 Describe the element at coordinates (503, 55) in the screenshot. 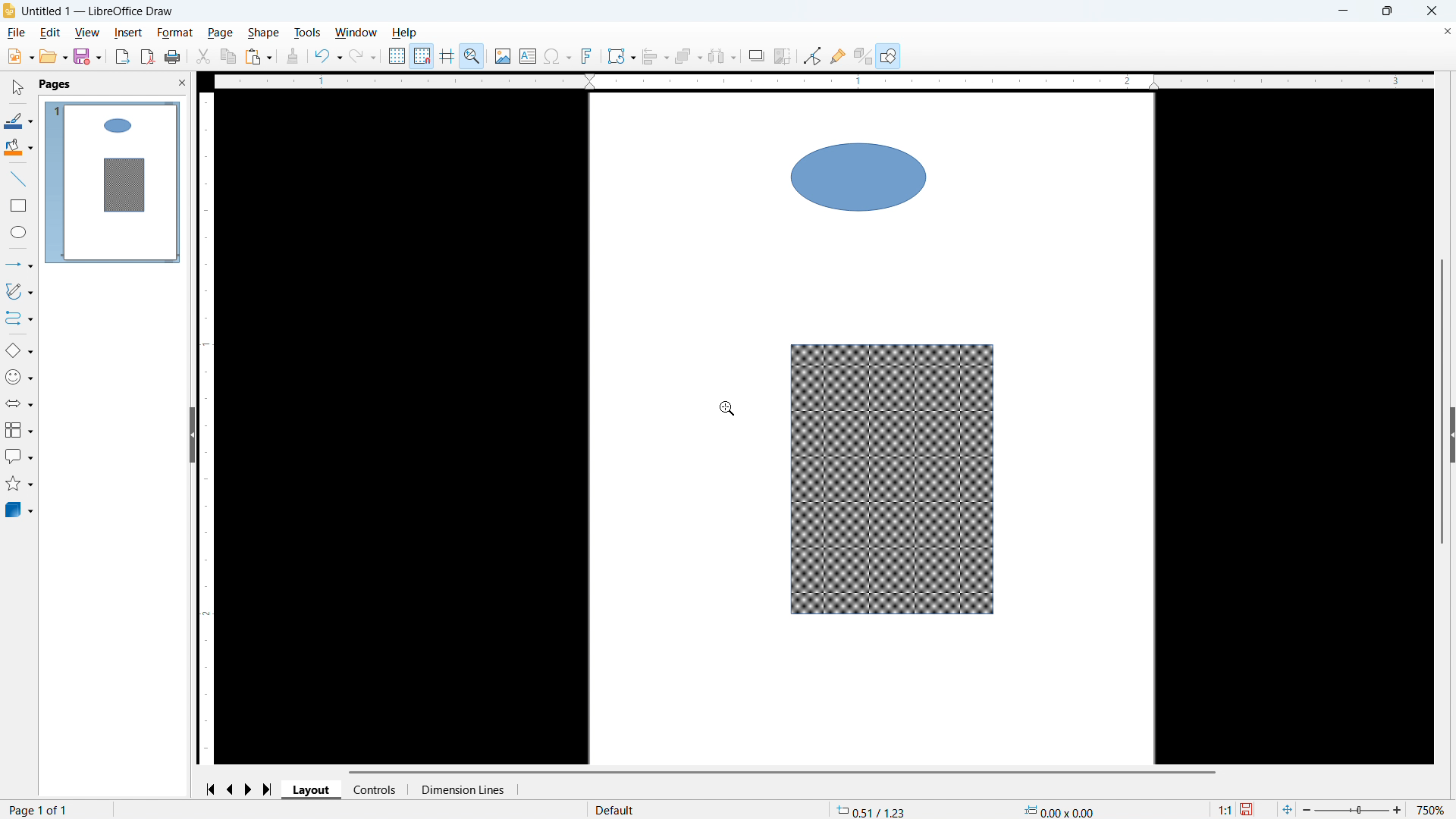

I see `Insert image ` at that location.